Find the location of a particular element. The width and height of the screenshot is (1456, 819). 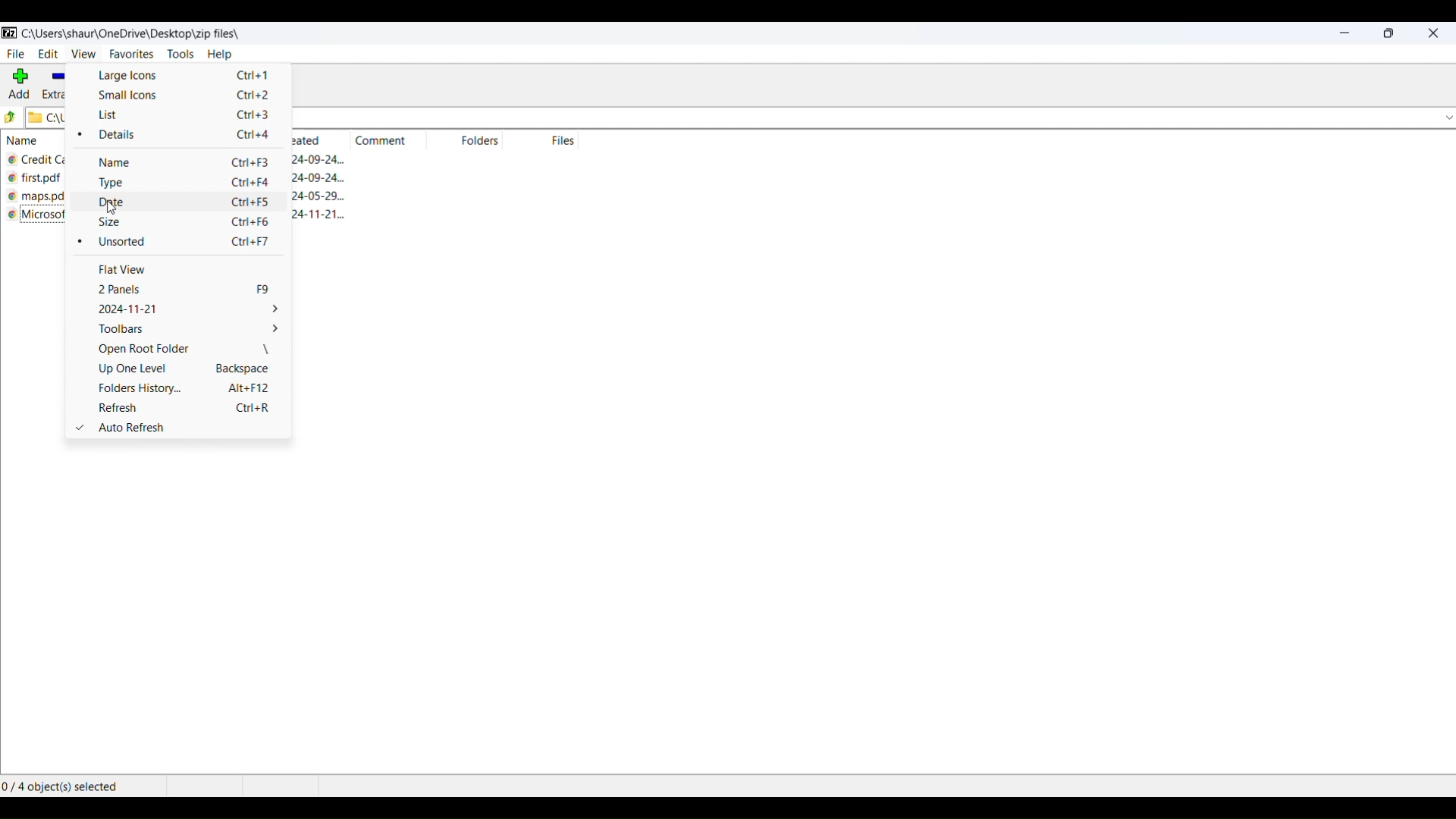

folders is located at coordinates (488, 142).